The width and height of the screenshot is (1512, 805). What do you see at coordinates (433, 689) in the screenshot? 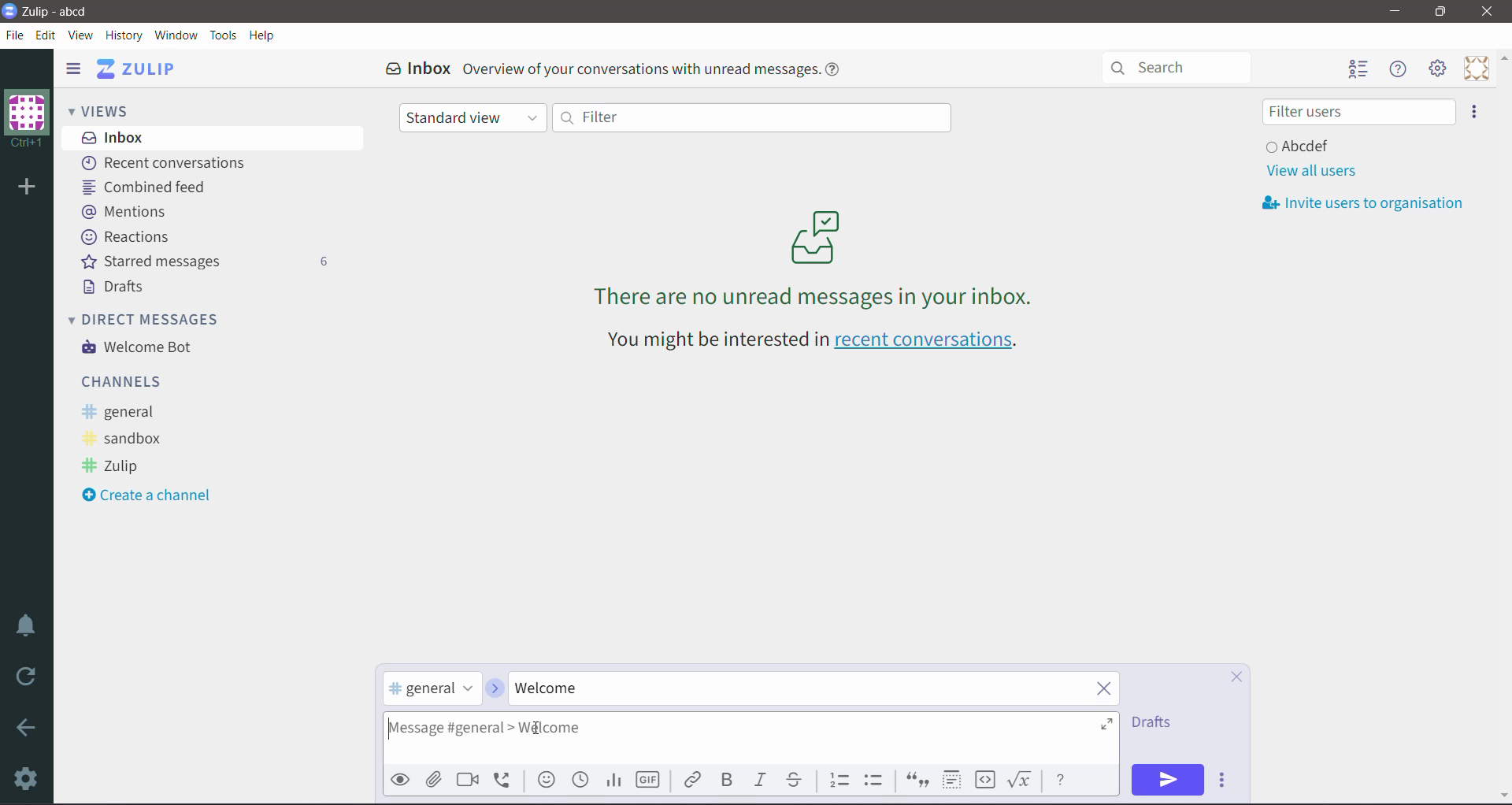
I see `selected channel` at bounding box center [433, 689].